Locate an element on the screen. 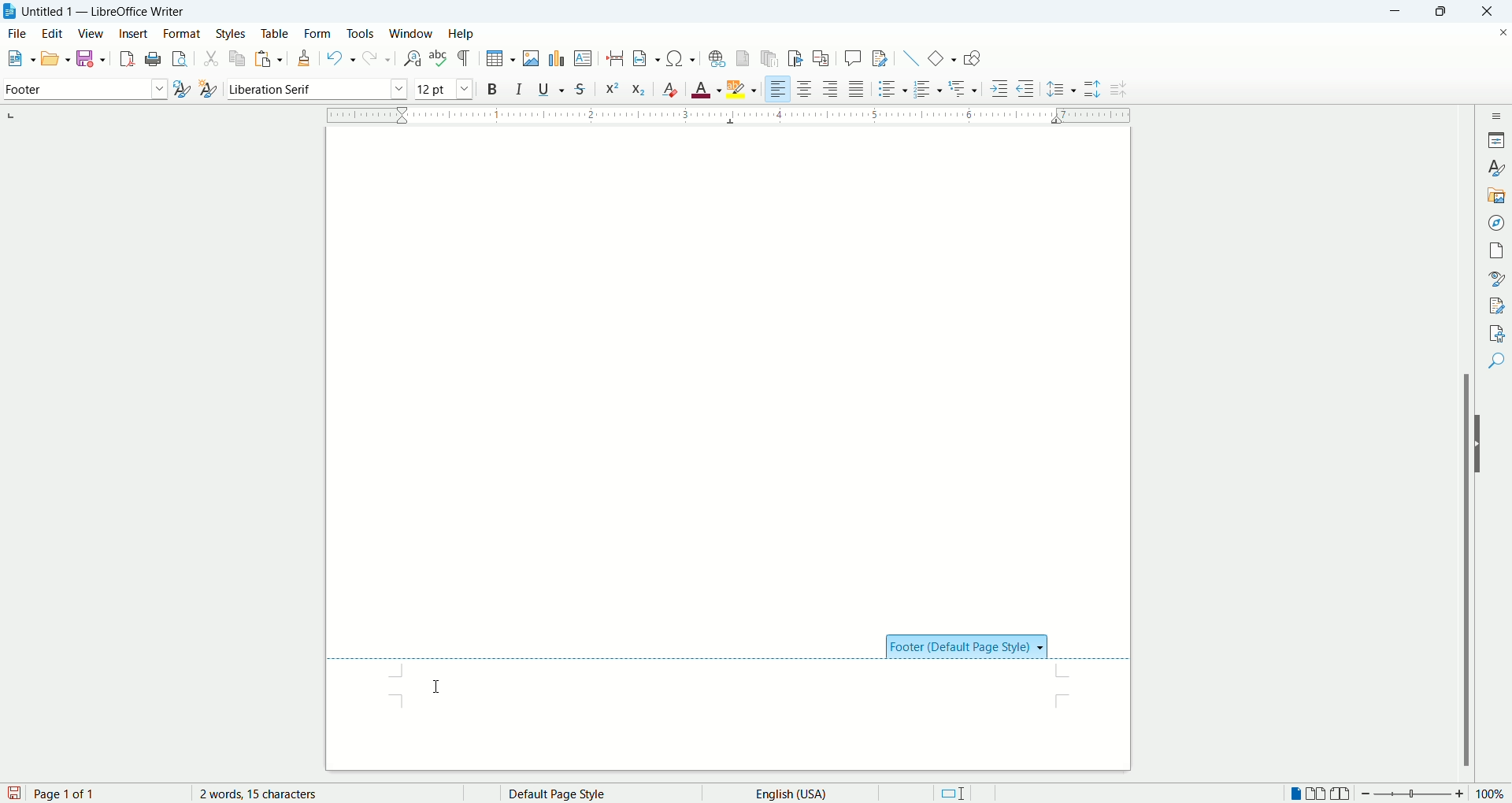 The width and height of the screenshot is (1512, 803). accessibility check is located at coordinates (1497, 332).